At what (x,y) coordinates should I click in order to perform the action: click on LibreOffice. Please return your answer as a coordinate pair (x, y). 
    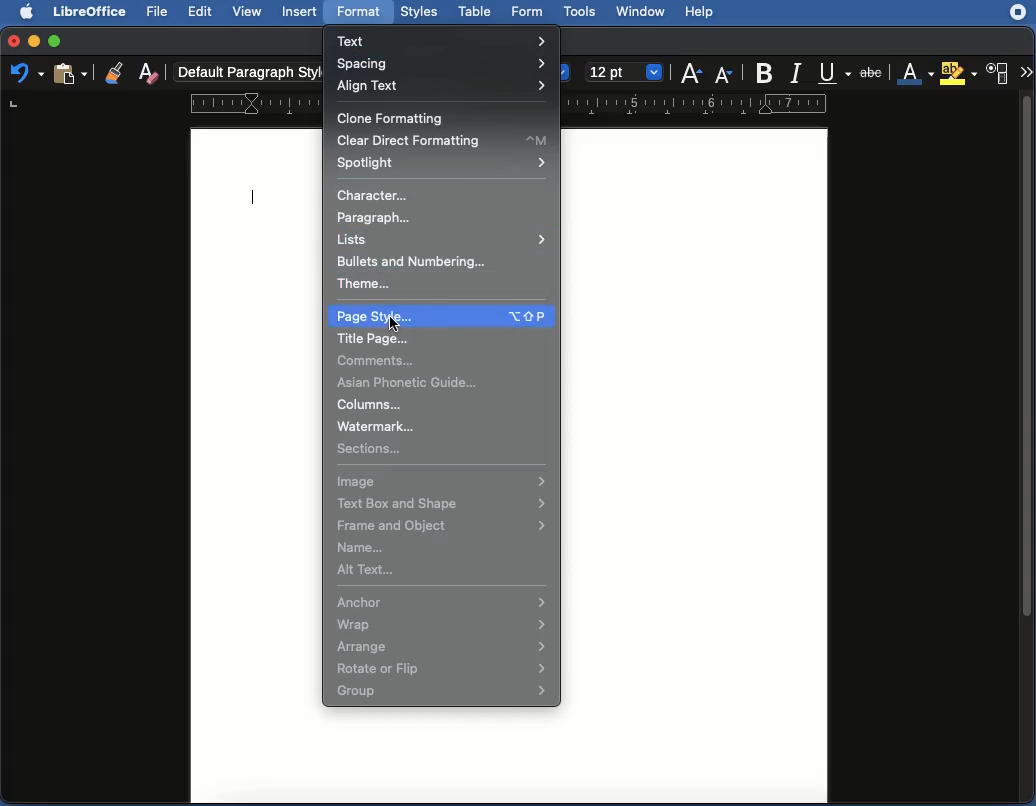
    Looking at the image, I should click on (91, 12).